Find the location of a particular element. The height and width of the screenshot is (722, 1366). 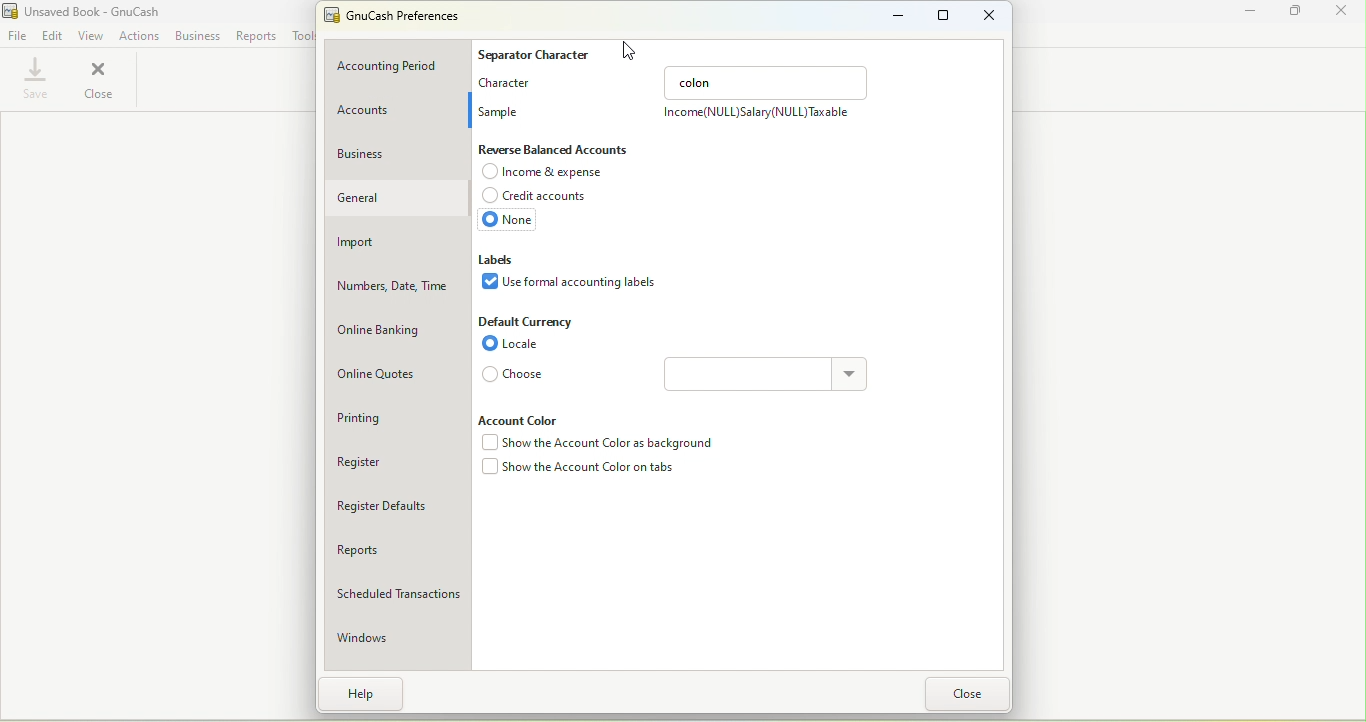

Close is located at coordinates (992, 14).